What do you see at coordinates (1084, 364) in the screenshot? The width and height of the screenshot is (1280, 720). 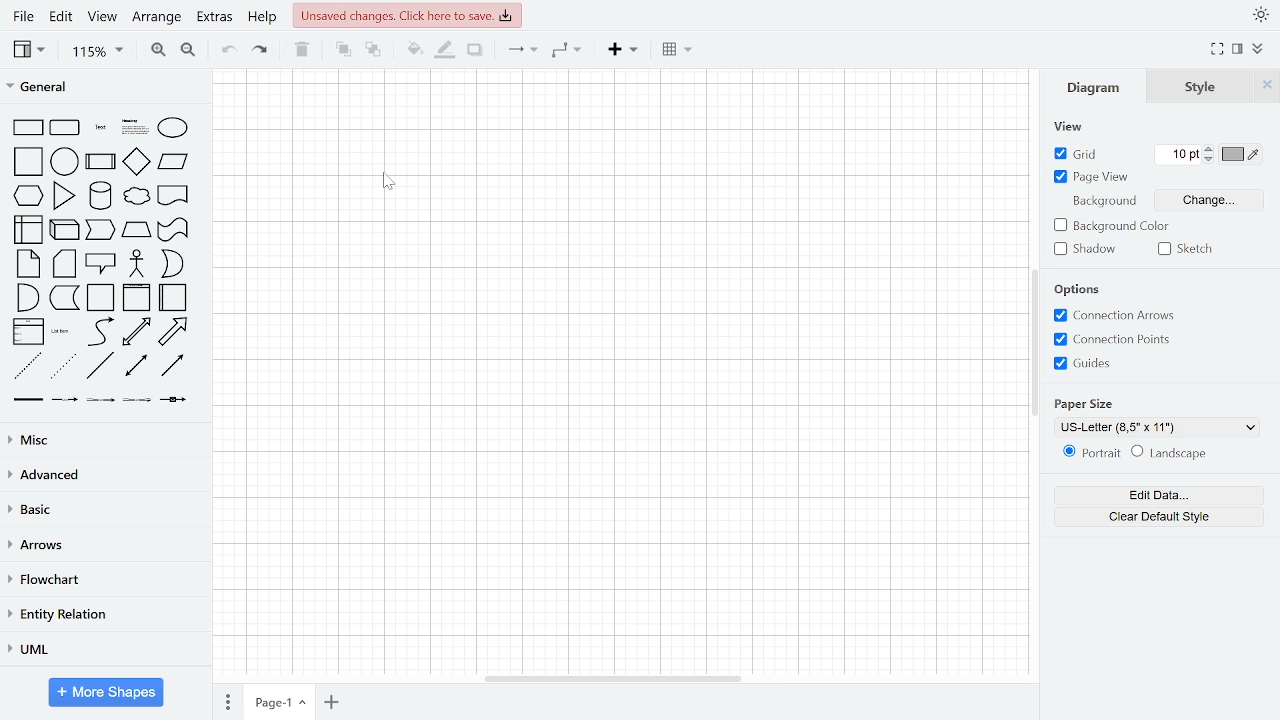 I see `guides` at bounding box center [1084, 364].